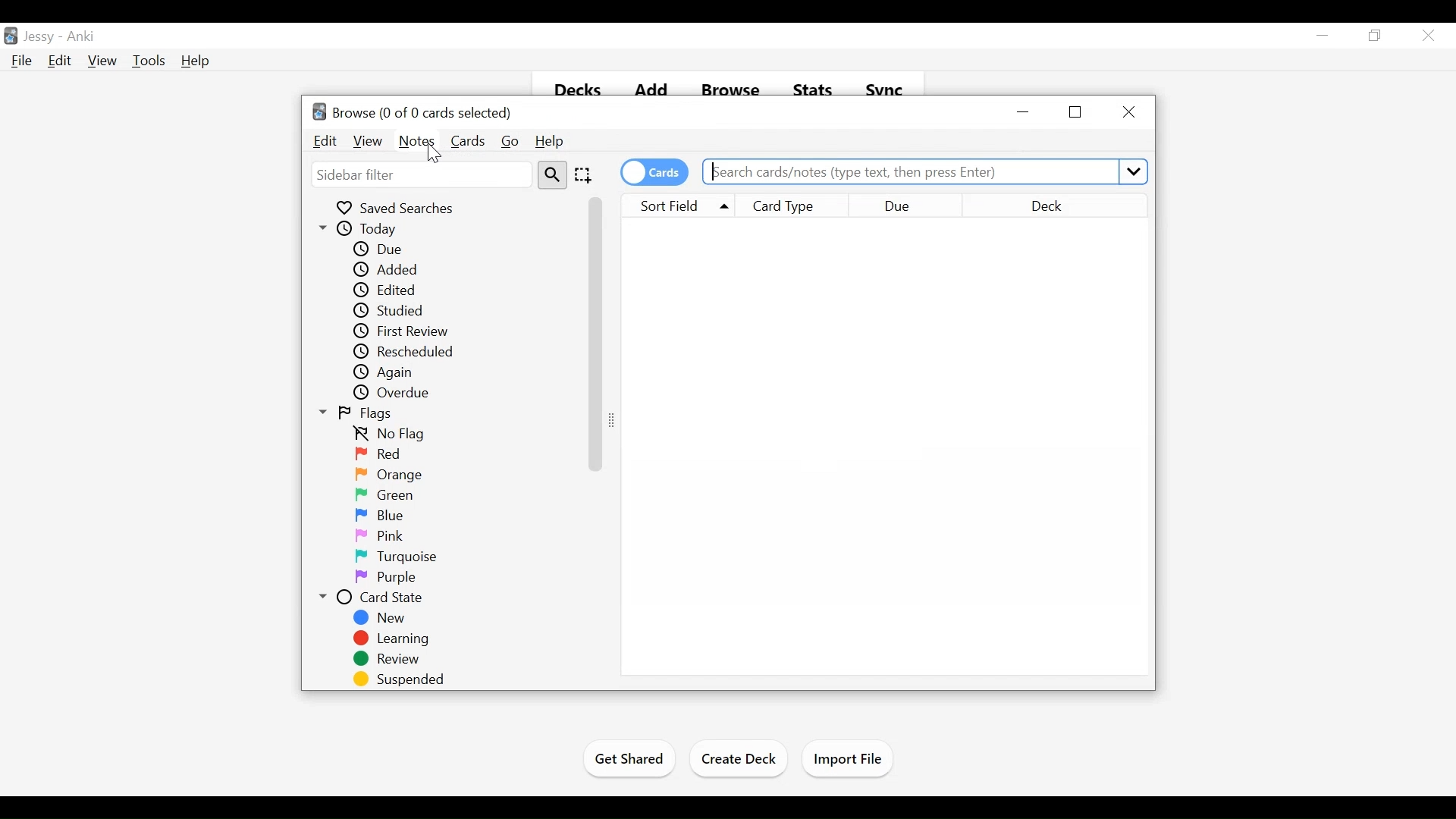 This screenshot has height=819, width=1456. What do you see at coordinates (361, 414) in the screenshot?
I see `Flags` at bounding box center [361, 414].